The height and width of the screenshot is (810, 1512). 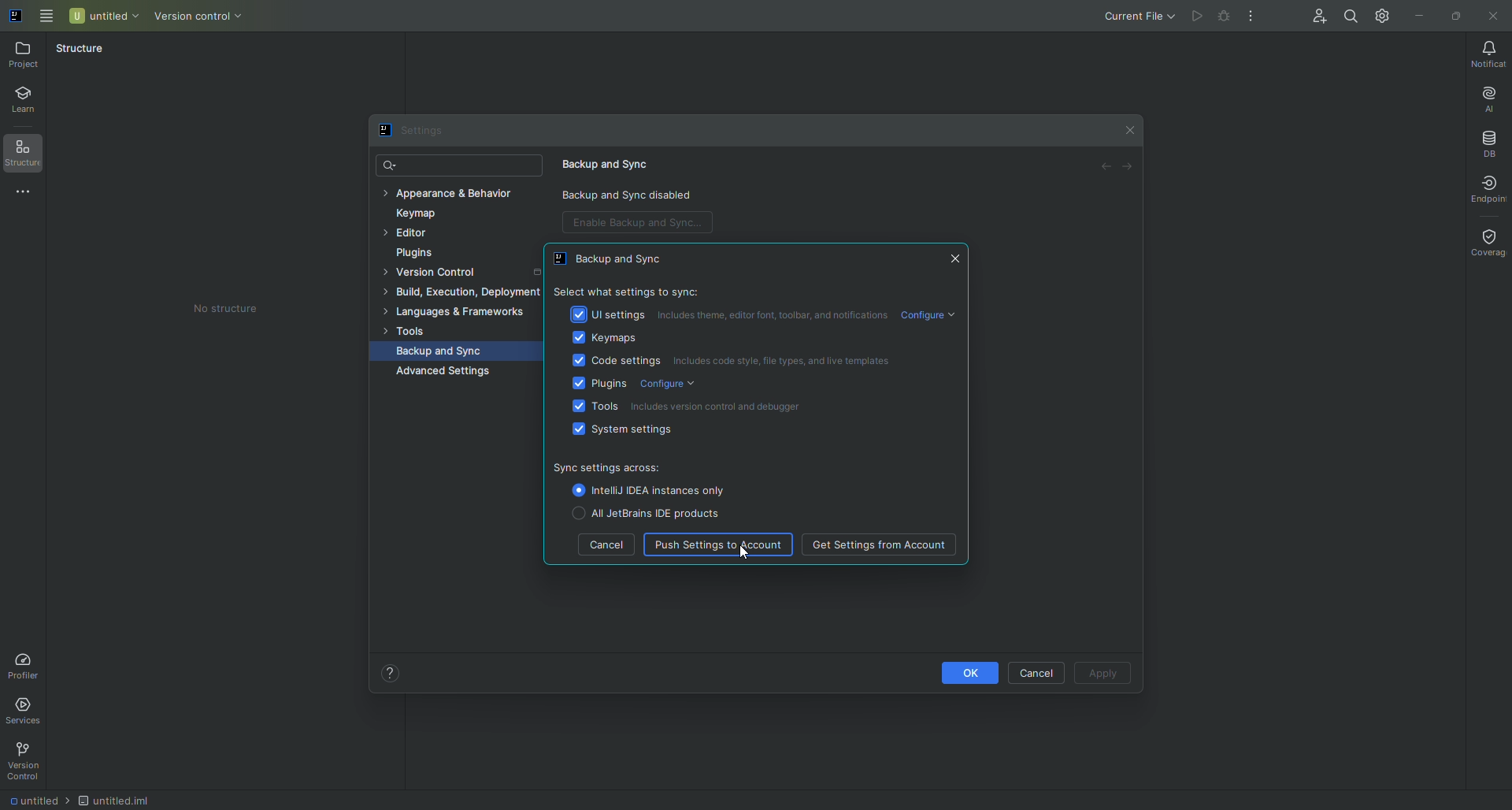 I want to click on Keymap, so click(x=421, y=217).